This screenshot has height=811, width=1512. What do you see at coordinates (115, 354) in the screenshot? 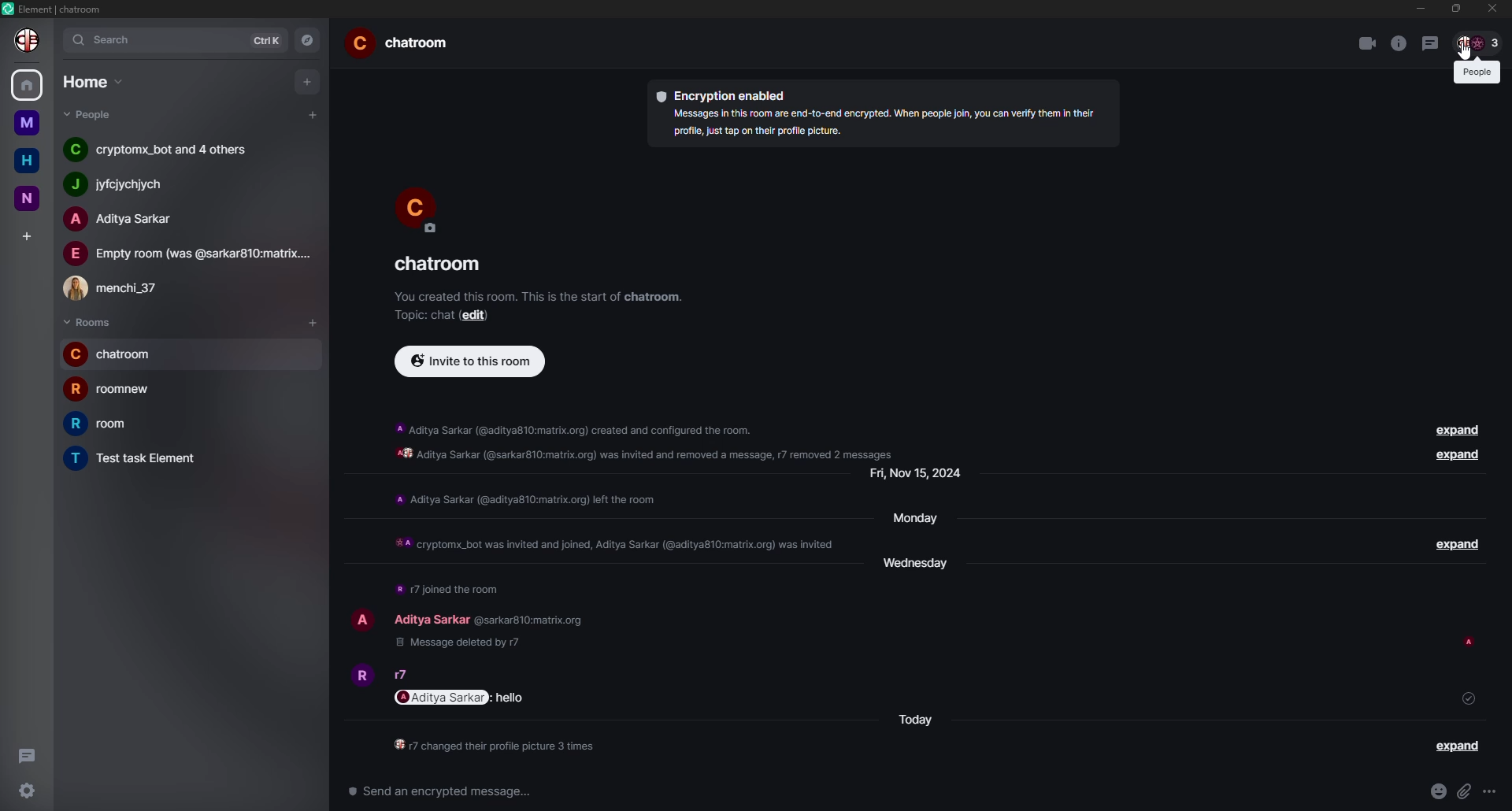
I see `room` at bounding box center [115, 354].